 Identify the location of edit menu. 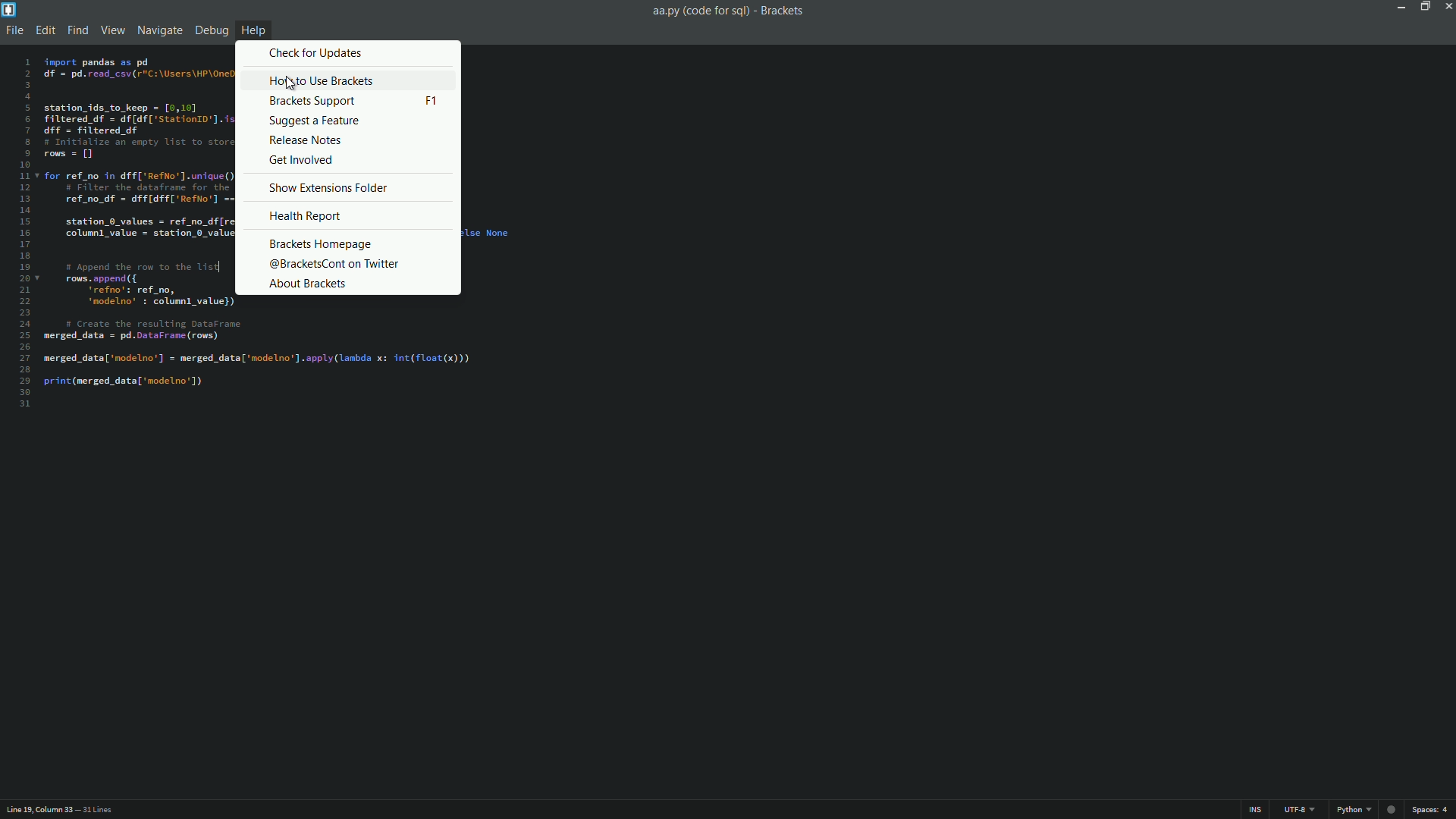
(44, 31).